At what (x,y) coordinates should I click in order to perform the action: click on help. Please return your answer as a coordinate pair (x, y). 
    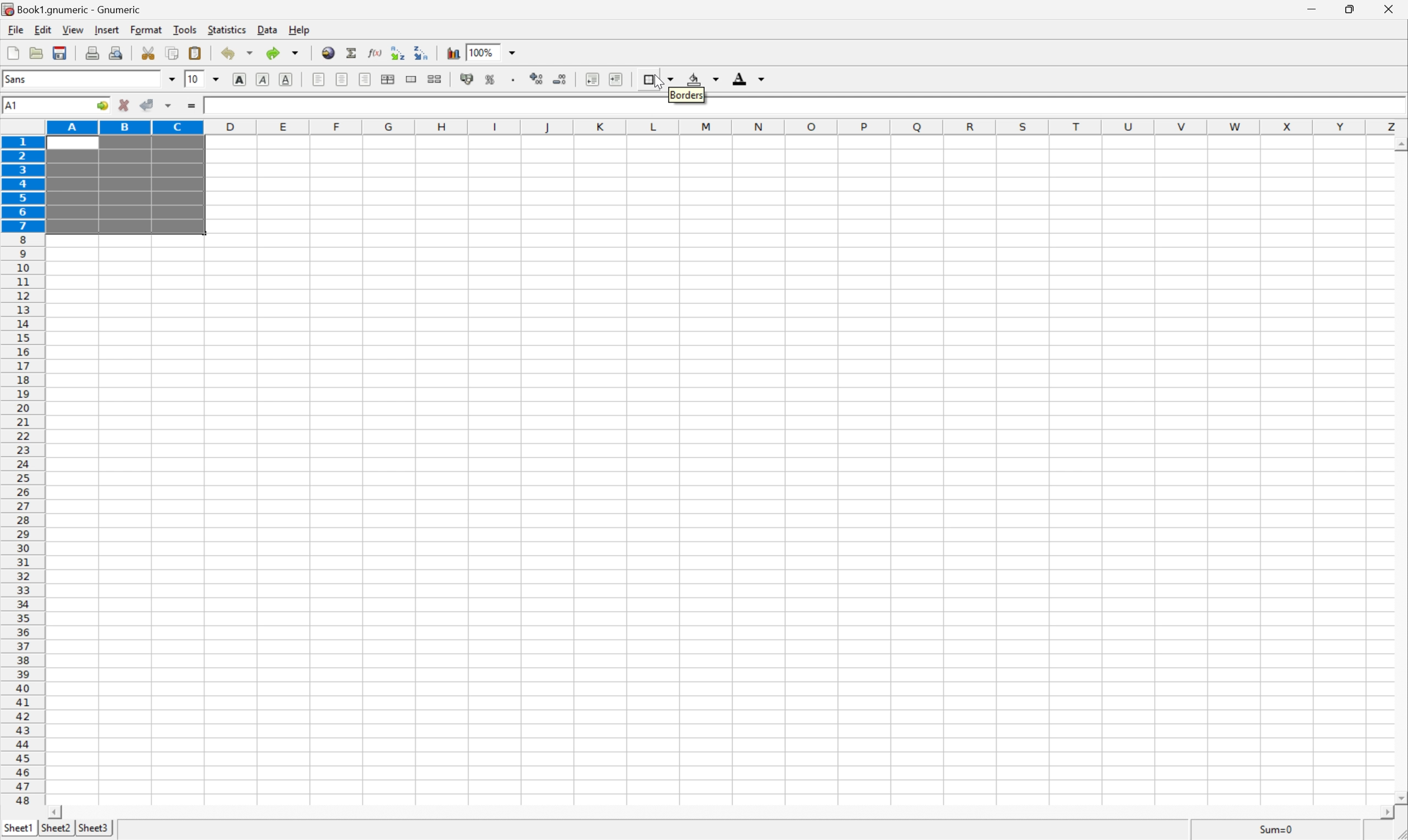
    Looking at the image, I should click on (298, 29).